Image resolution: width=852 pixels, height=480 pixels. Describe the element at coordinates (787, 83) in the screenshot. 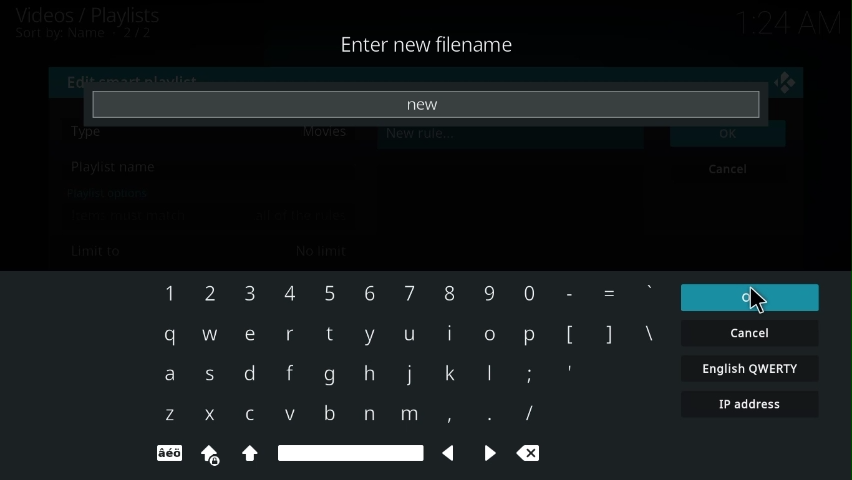

I see `close` at that location.